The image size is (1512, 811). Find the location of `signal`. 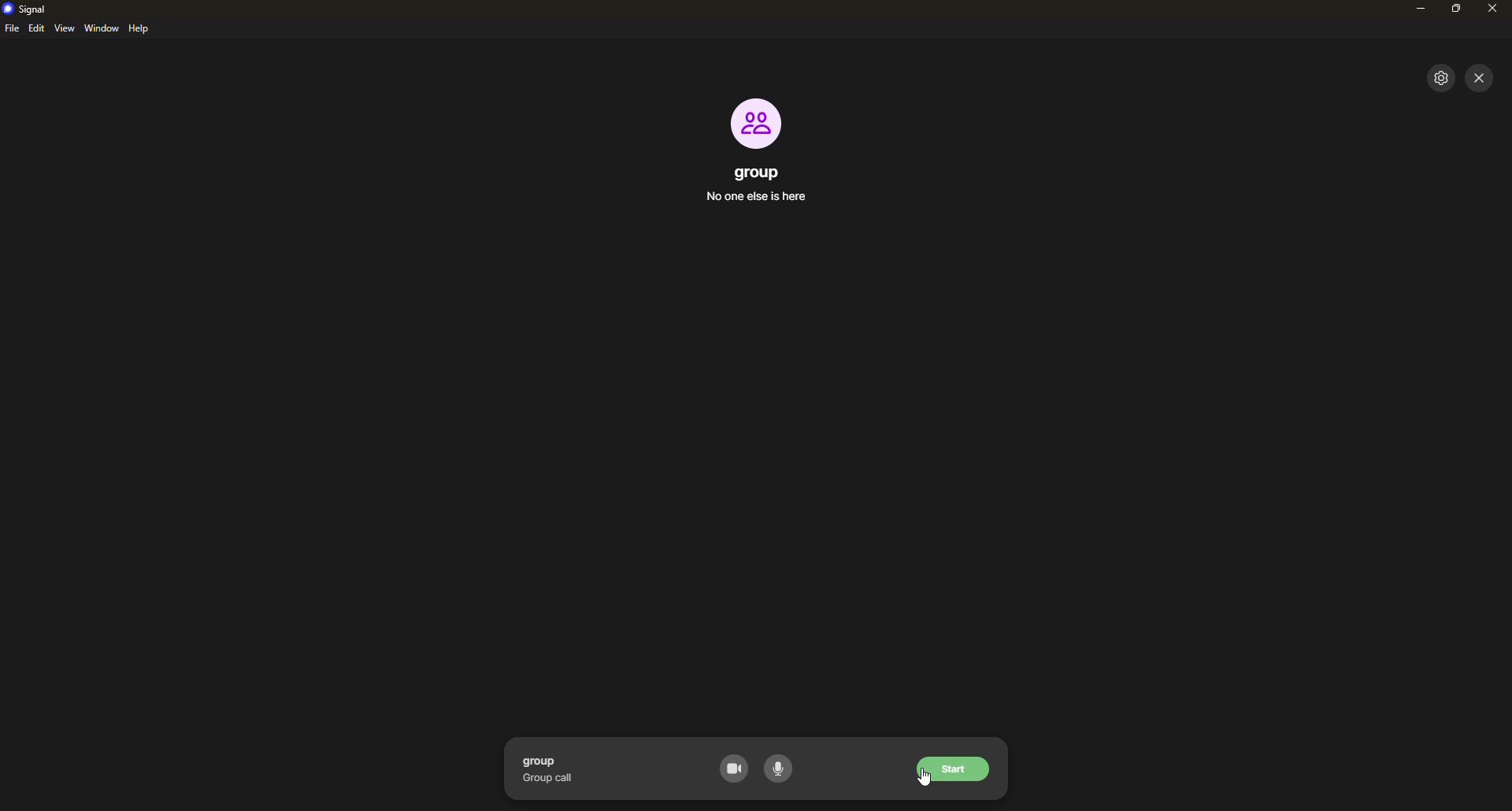

signal is located at coordinates (27, 8).